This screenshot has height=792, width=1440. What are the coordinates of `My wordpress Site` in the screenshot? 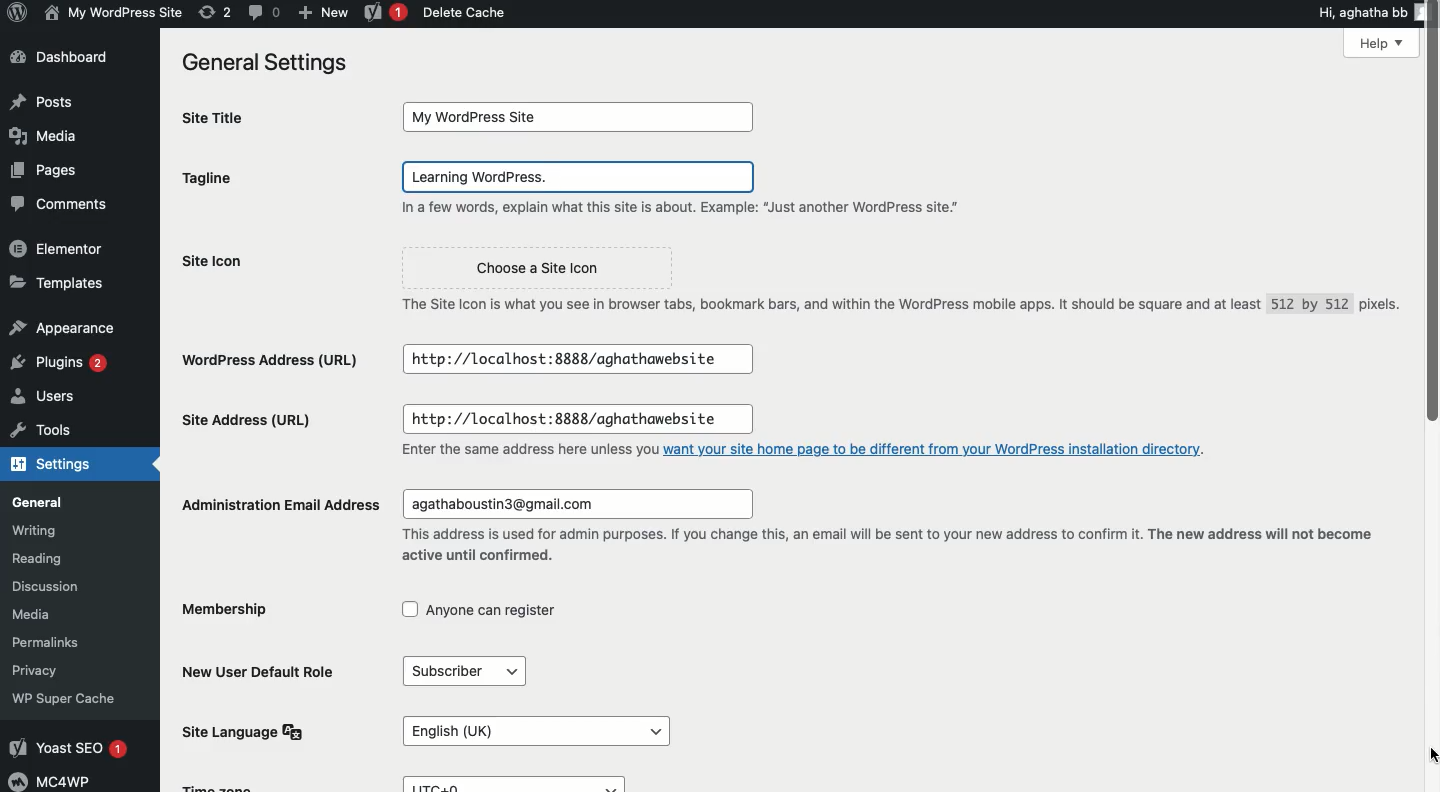 It's located at (111, 12).